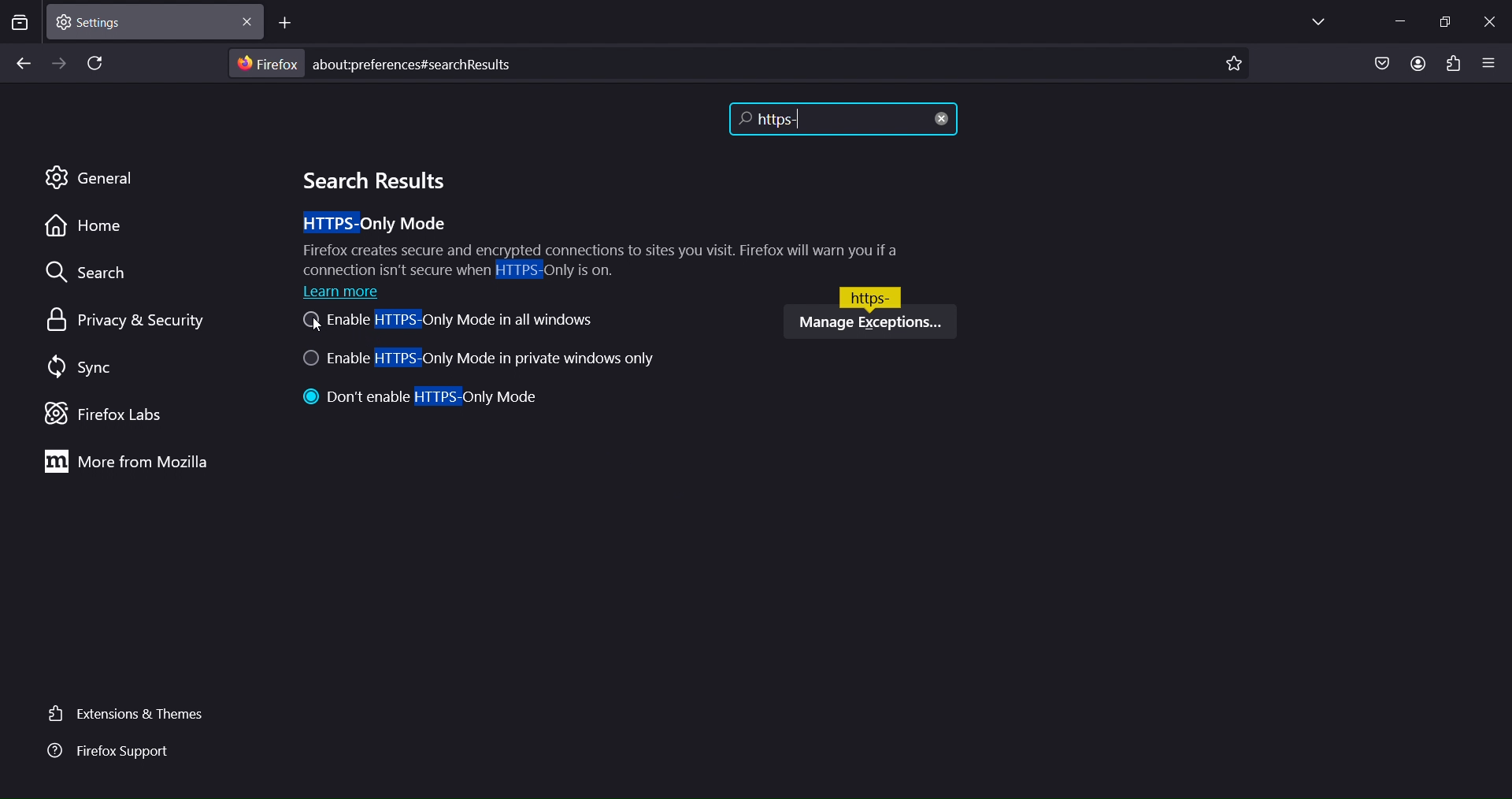 This screenshot has width=1512, height=799. Describe the element at coordinates (58, 63) in the screenshot. I see `go forward one page` at that location.